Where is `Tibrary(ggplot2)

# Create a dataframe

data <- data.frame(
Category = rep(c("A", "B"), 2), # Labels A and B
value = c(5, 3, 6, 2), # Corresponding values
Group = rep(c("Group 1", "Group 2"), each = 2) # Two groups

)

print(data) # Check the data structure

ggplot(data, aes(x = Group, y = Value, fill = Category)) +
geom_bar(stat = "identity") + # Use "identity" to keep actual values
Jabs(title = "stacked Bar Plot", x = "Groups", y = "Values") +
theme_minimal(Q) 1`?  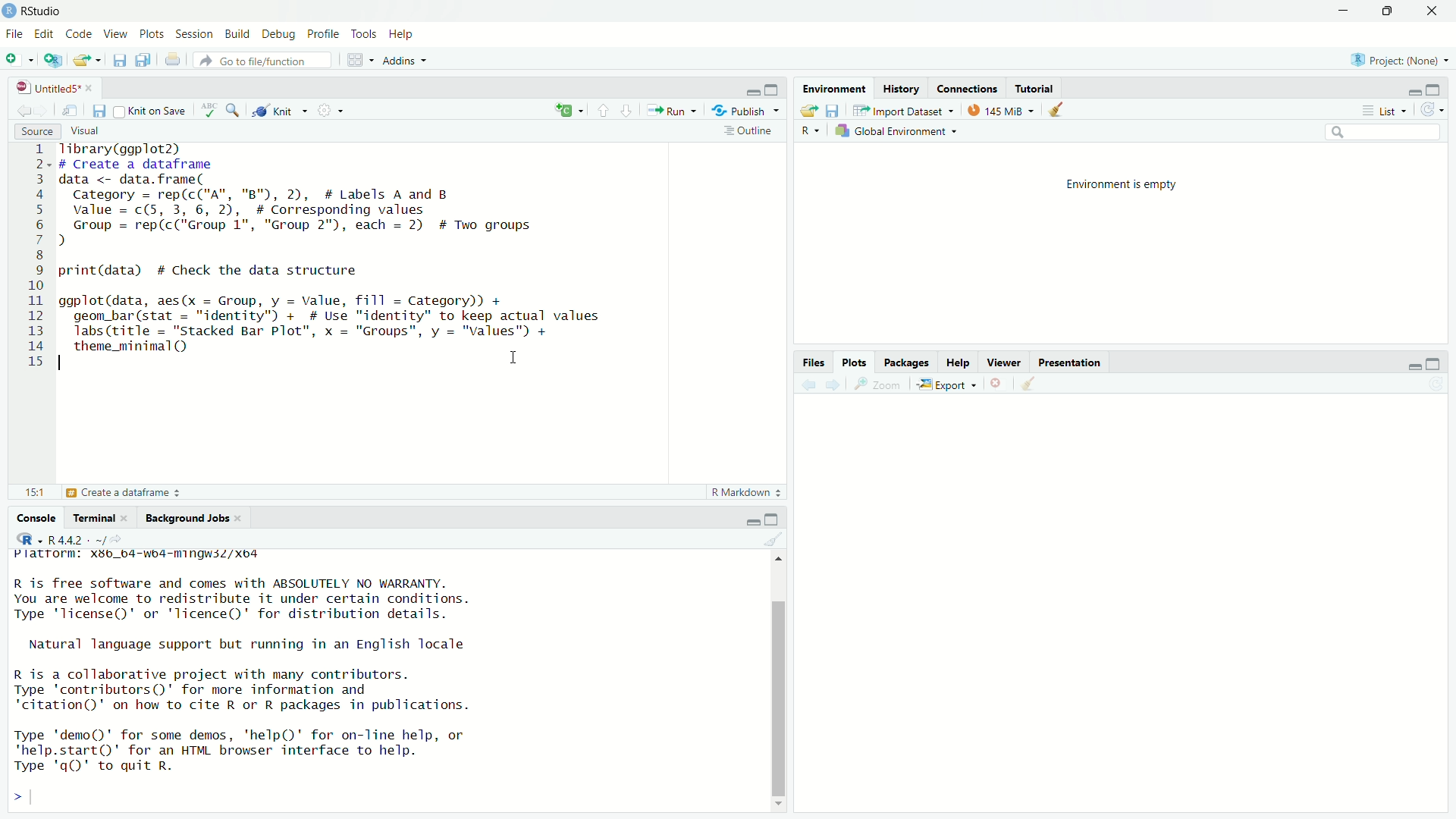
Tibrary(ggplot2)

# Create a dataframe

data <- data.frame(
Category = rep(c("A", "B"), 2), # Labels A and B
value = c(5, 3, 6, 2), # Corresponding values
Group = rep(c("Group 1", "Group 2"), each = 2) # Two groups

)

print(data) # Check the data structure

ggplot(data, aes(x = Group, y = Value, fill = Category)) +
geom_bar(stat = "identity") + # Use "identity" to keep actual values
Jabs(title = "stacked Bar Plot", x = "Groups", y = "Values") +
theme_minimal(Q) 1 is located at coordinates (365, 261).